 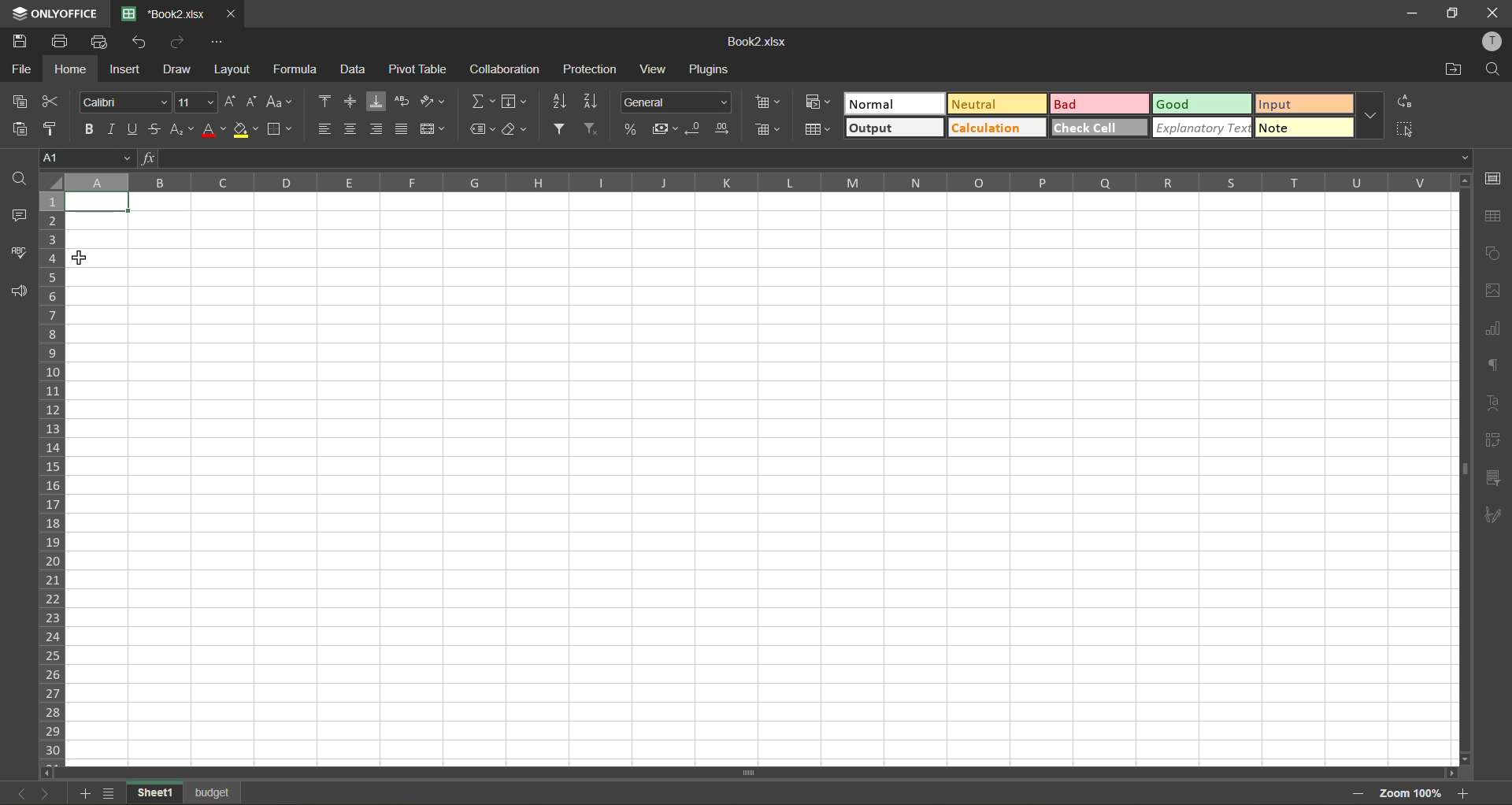 I want to click on protection, so click(x=592, y=70).